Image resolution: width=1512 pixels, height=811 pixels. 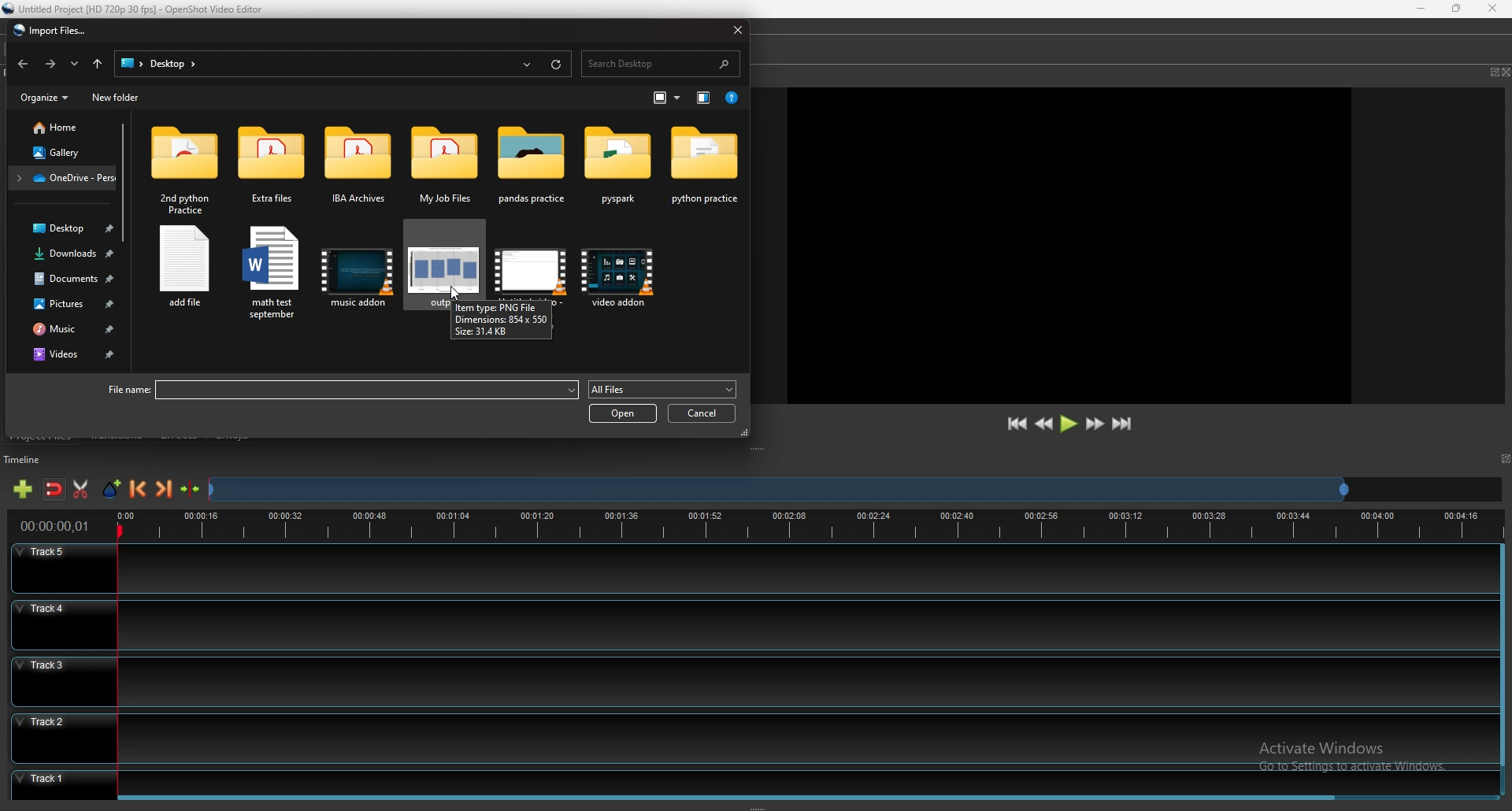 I want to click on rewind, so click(x=1045, y=424).